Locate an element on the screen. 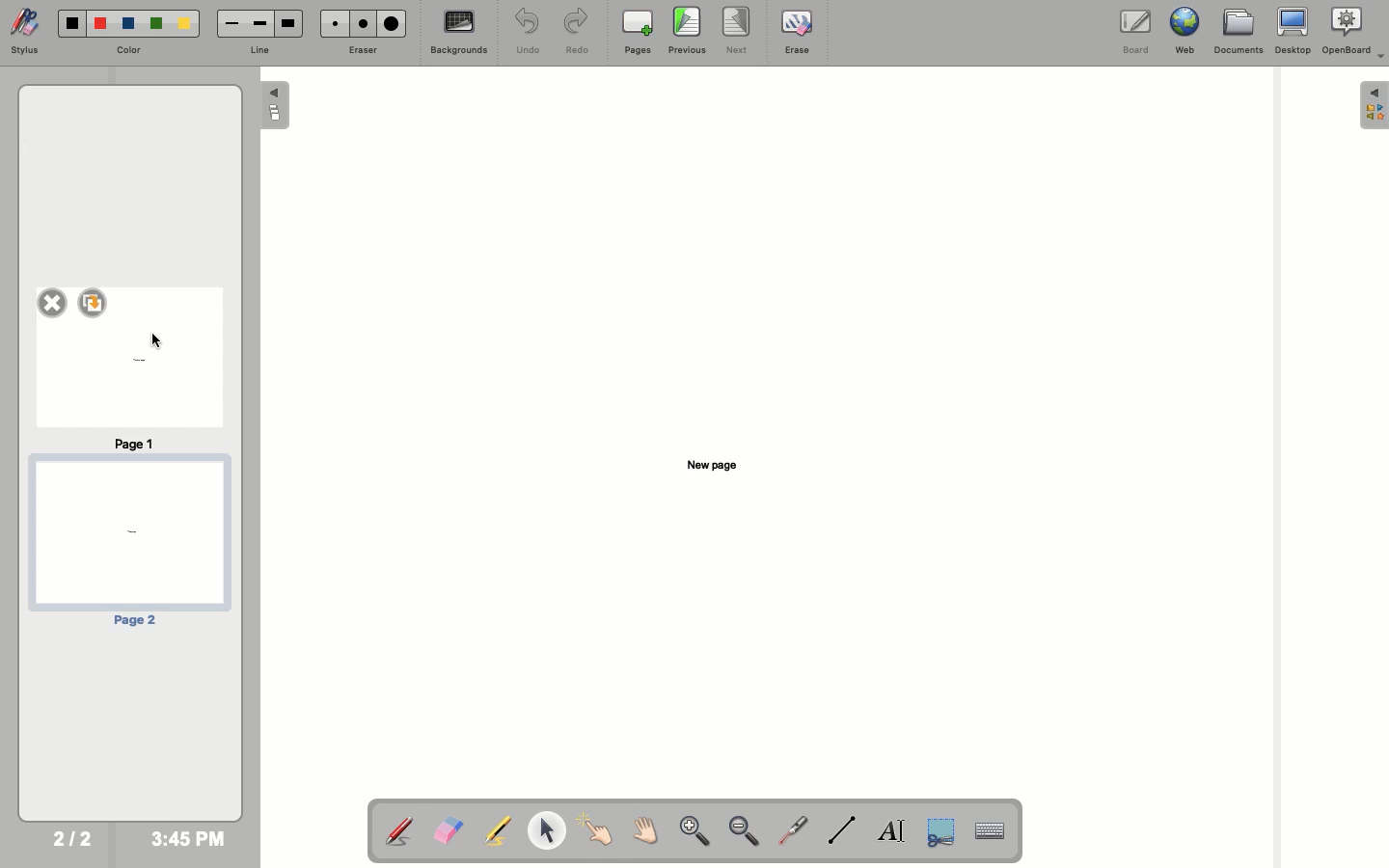 The image size is (1389, 868). Previous is located at coordinates (688, 31).